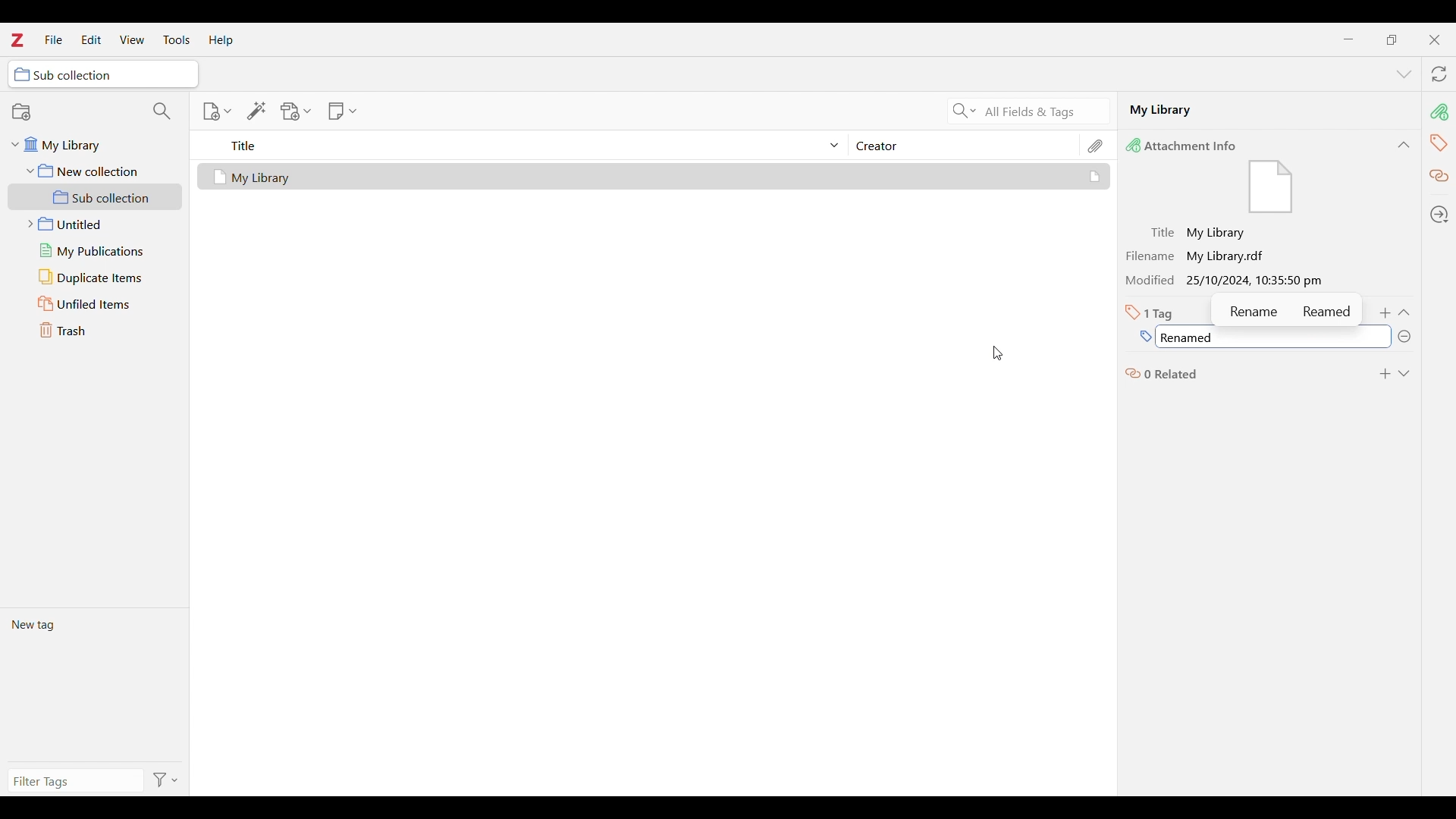 This screenshot has height=819, width=1456. I want to click on Attachments, so click(1097, 146).